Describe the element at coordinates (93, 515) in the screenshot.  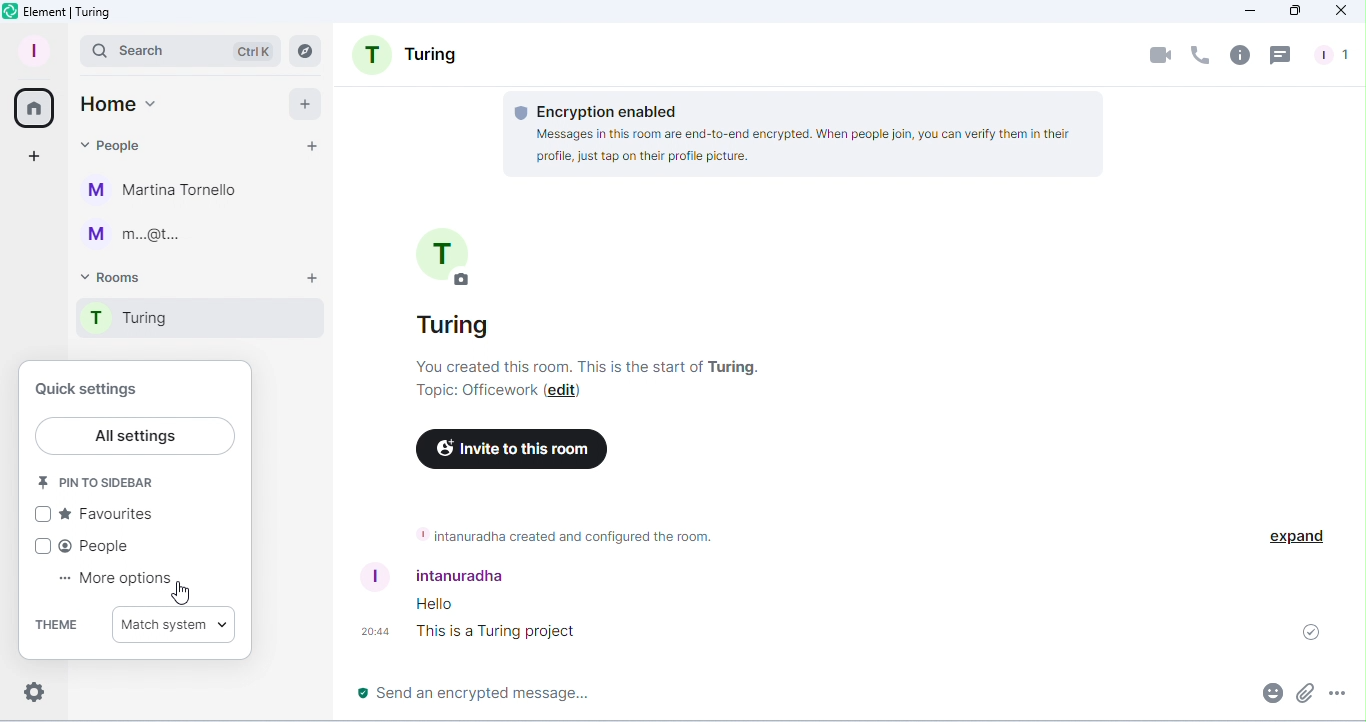
I see `Favourites` at that location.